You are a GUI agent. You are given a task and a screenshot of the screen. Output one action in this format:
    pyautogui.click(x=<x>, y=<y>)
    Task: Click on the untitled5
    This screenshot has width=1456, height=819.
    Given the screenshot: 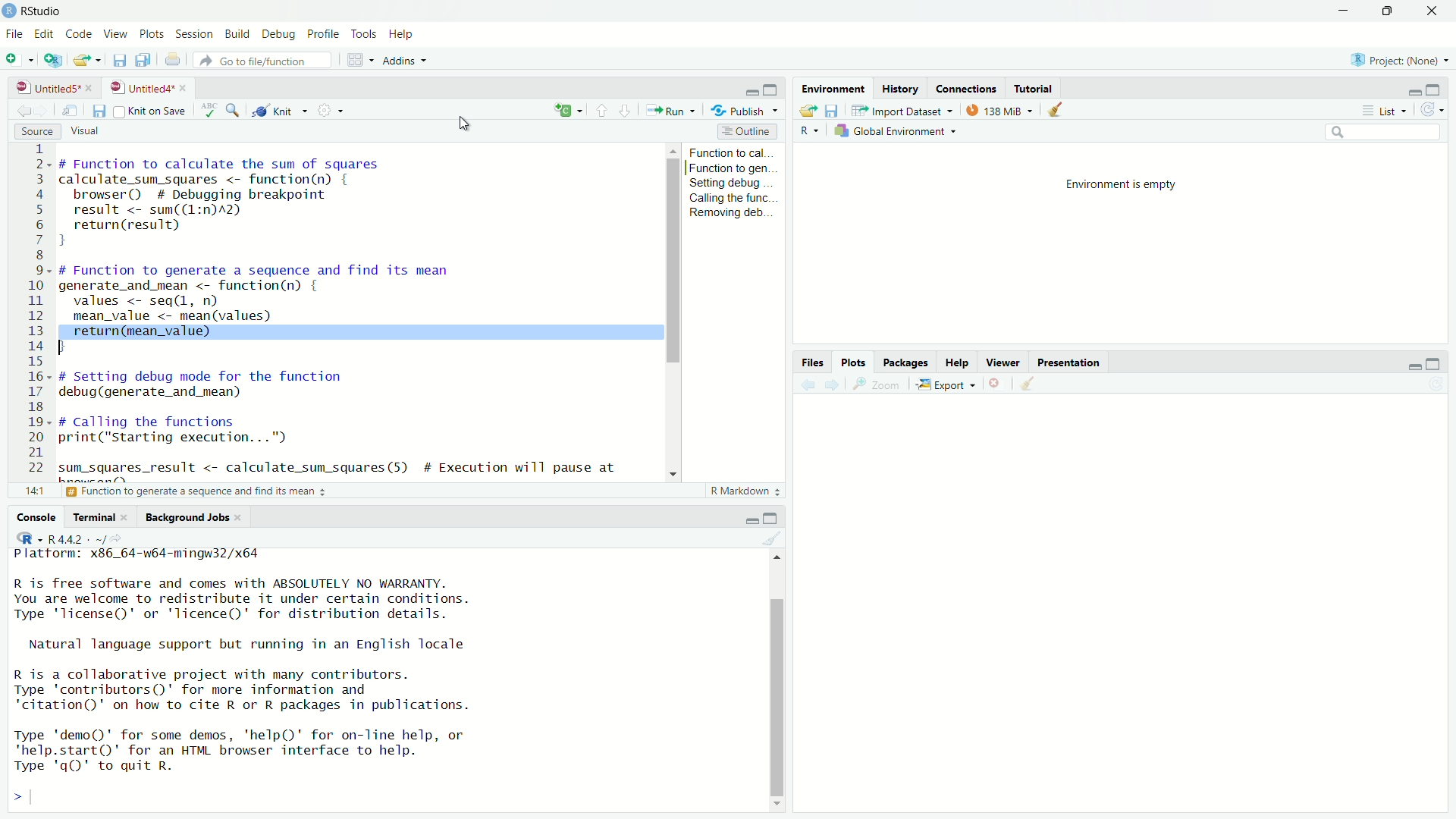 What is the action you would take?
    pyautogui.click(x=42, y=86)
    